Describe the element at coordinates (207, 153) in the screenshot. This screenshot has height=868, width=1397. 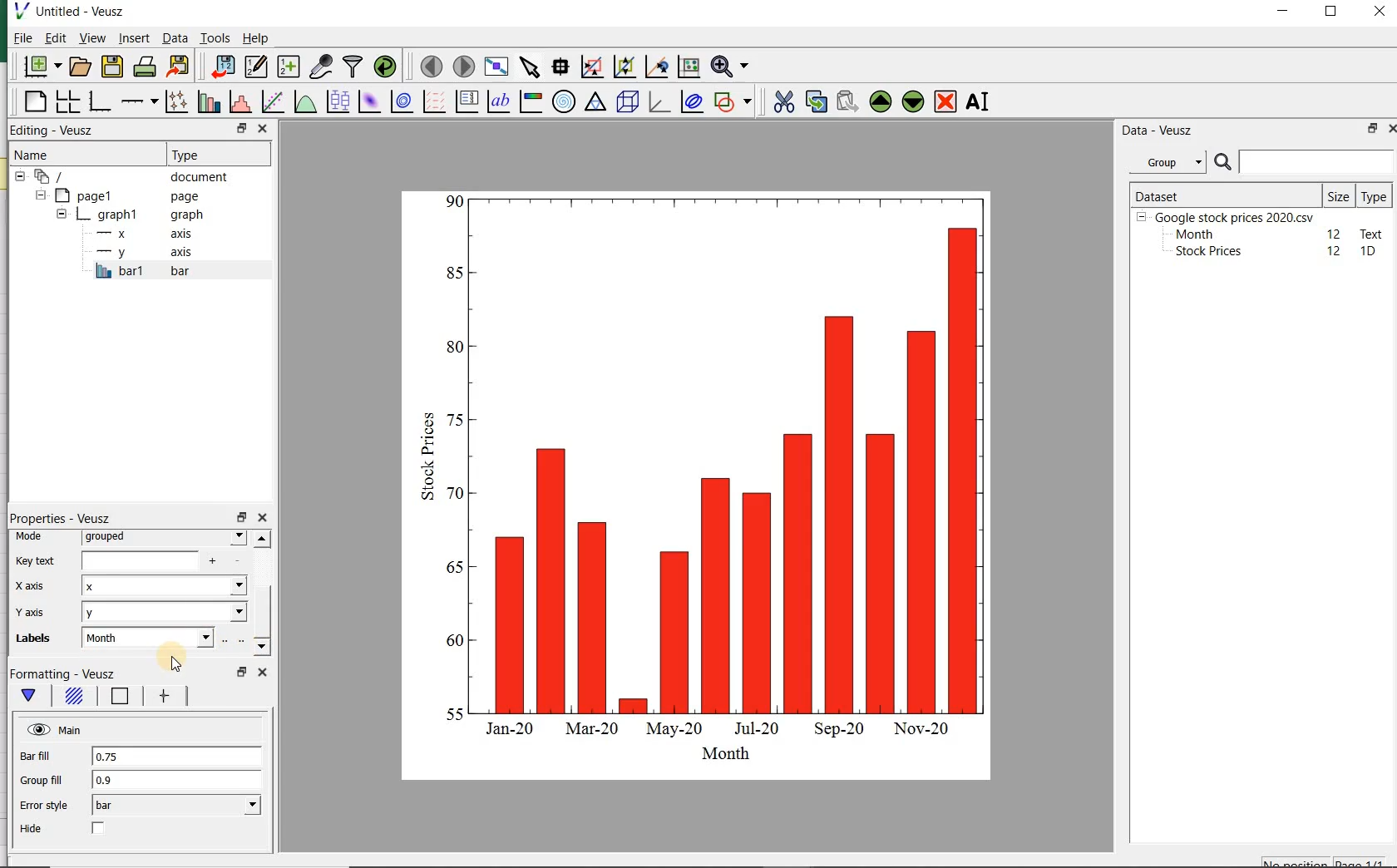
I see `Type` at that location.